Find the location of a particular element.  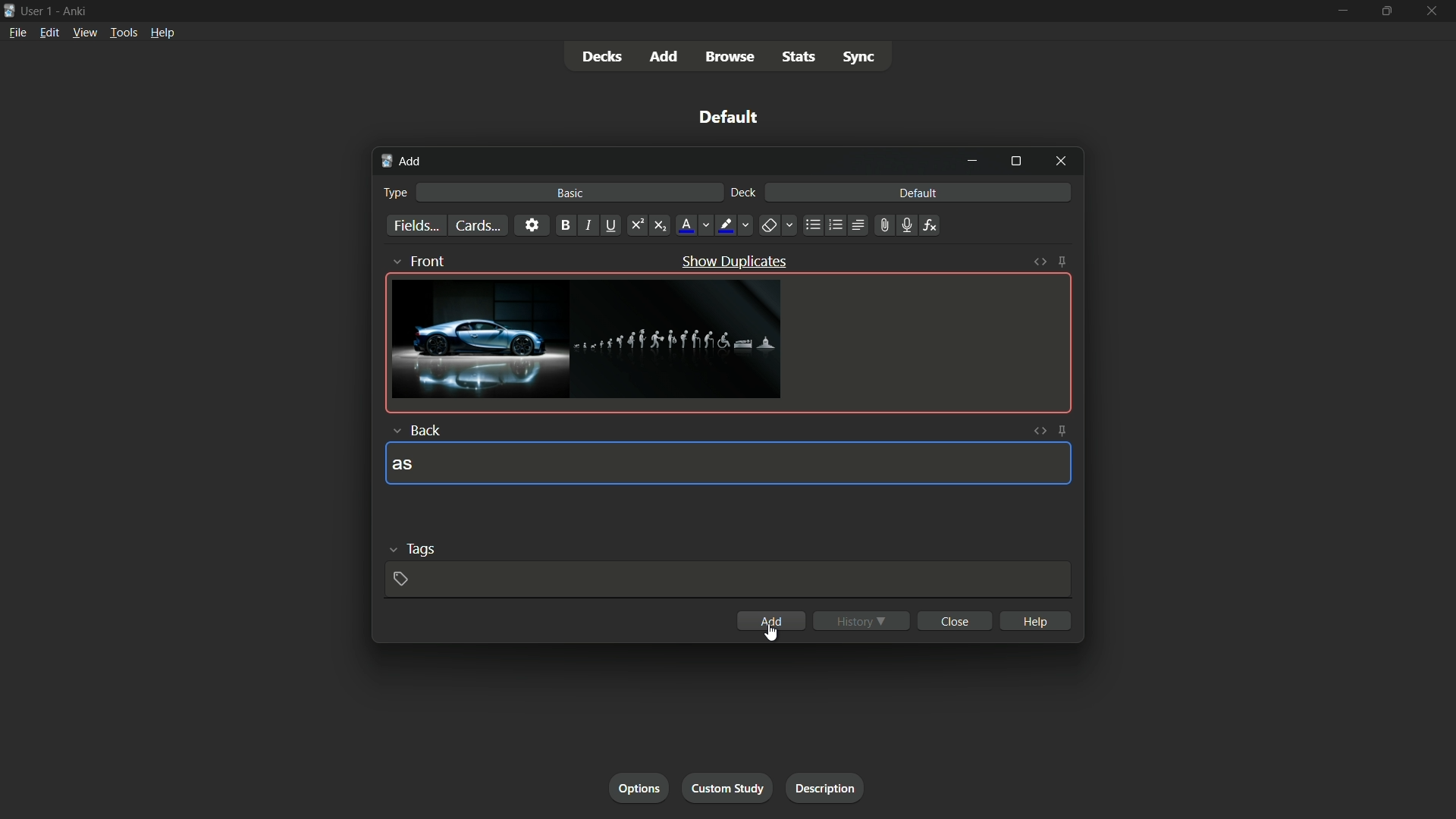

remove formatting is located at coordinates (778, 224).